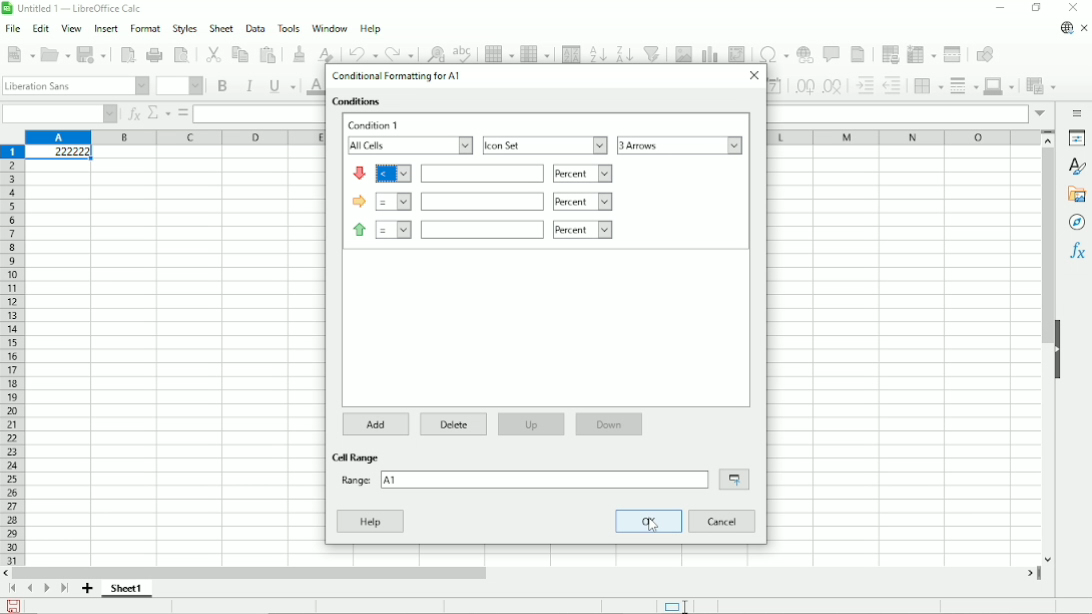  Describe the element at coordinates (545, 145) in the screenshot. I see `Icon set` at that location.